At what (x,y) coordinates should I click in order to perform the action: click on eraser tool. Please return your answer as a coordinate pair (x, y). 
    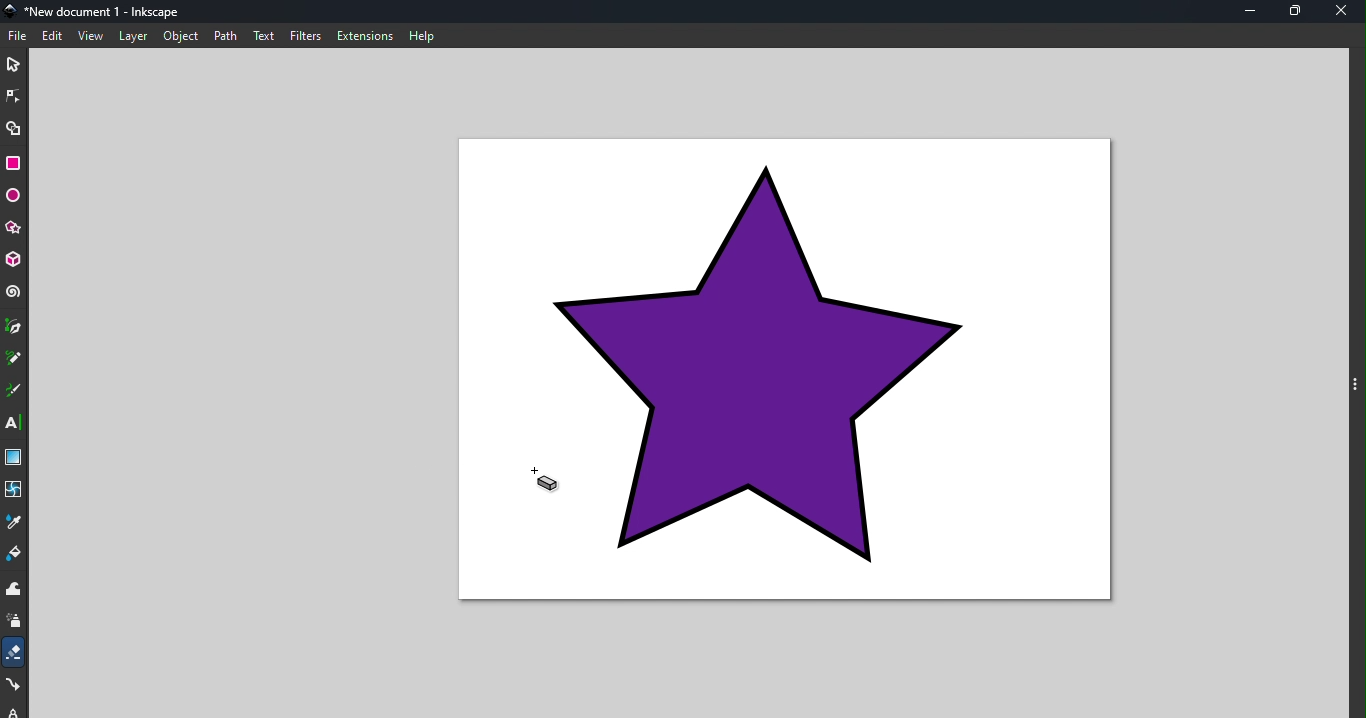
    Looking at the image, I should click on (15, 652).